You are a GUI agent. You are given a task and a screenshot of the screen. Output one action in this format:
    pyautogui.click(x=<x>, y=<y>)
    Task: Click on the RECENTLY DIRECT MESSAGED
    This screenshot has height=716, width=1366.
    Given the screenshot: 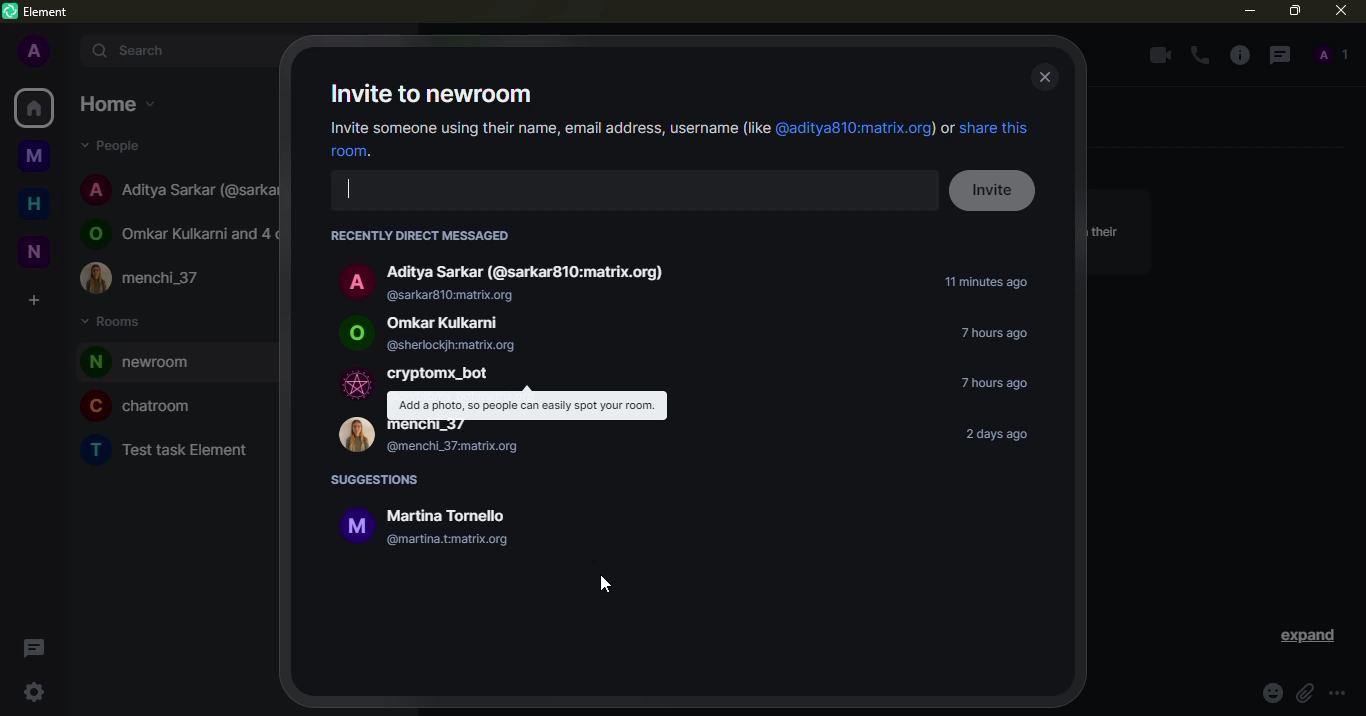 What is the action you would take?
    pyautogui.click(x=419, y=236)
    